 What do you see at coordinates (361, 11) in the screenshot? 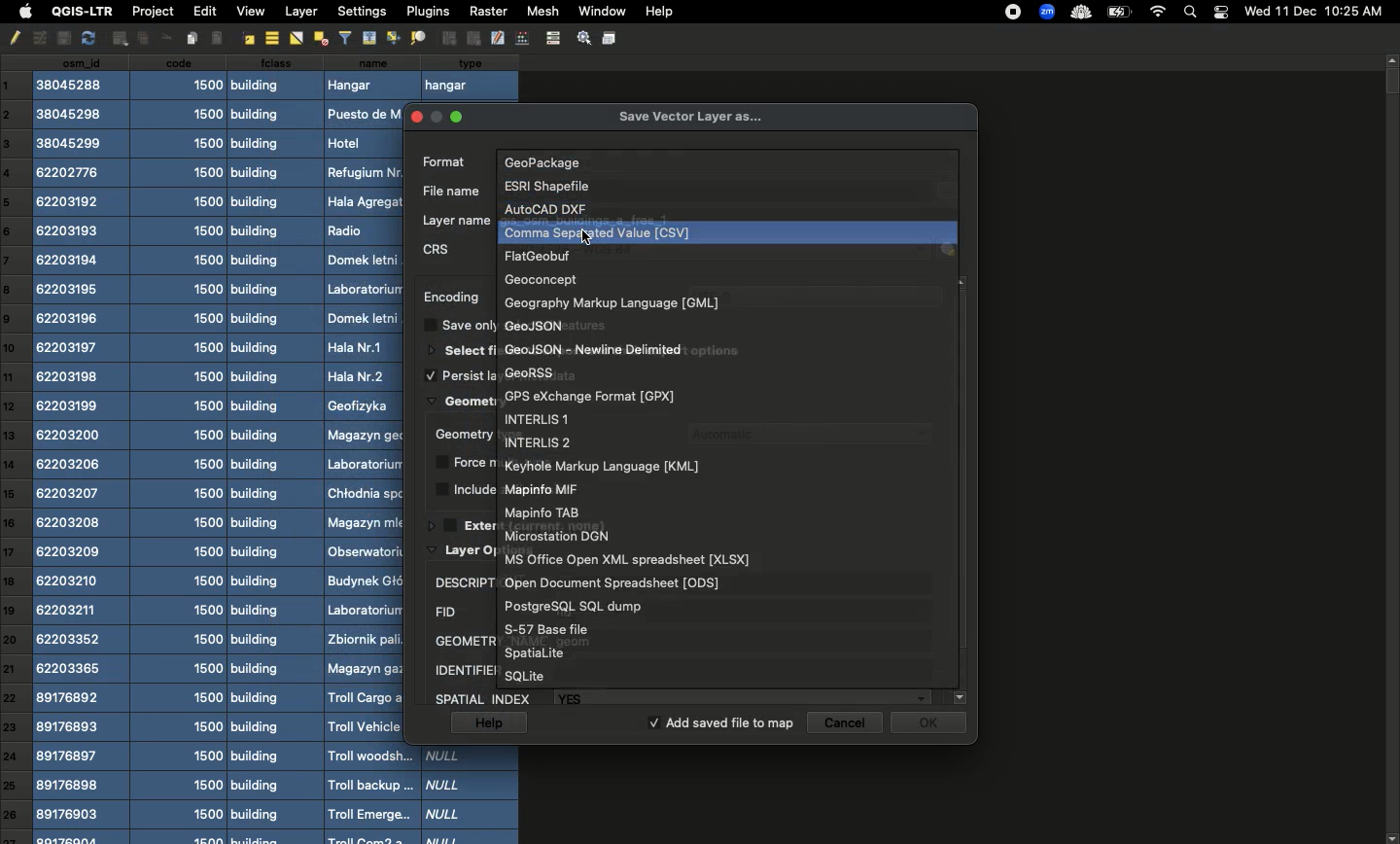
I see `Settings` at bounding box center [361, 11].